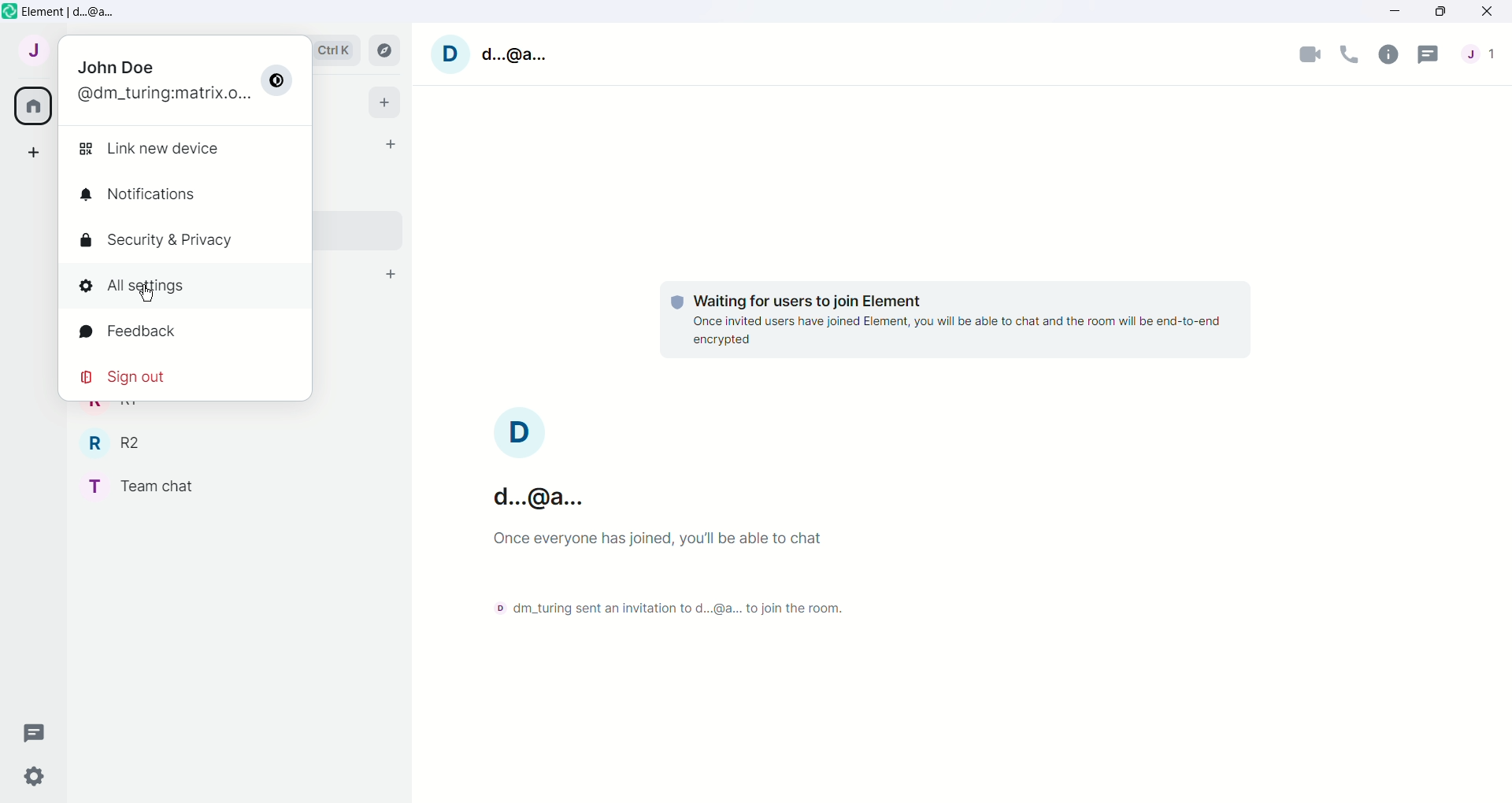 Image resolution: width=1512 pixels, height=803 pixels. I want to click on Once everyone has joined, you'll be able to chat, so click(658, 539).